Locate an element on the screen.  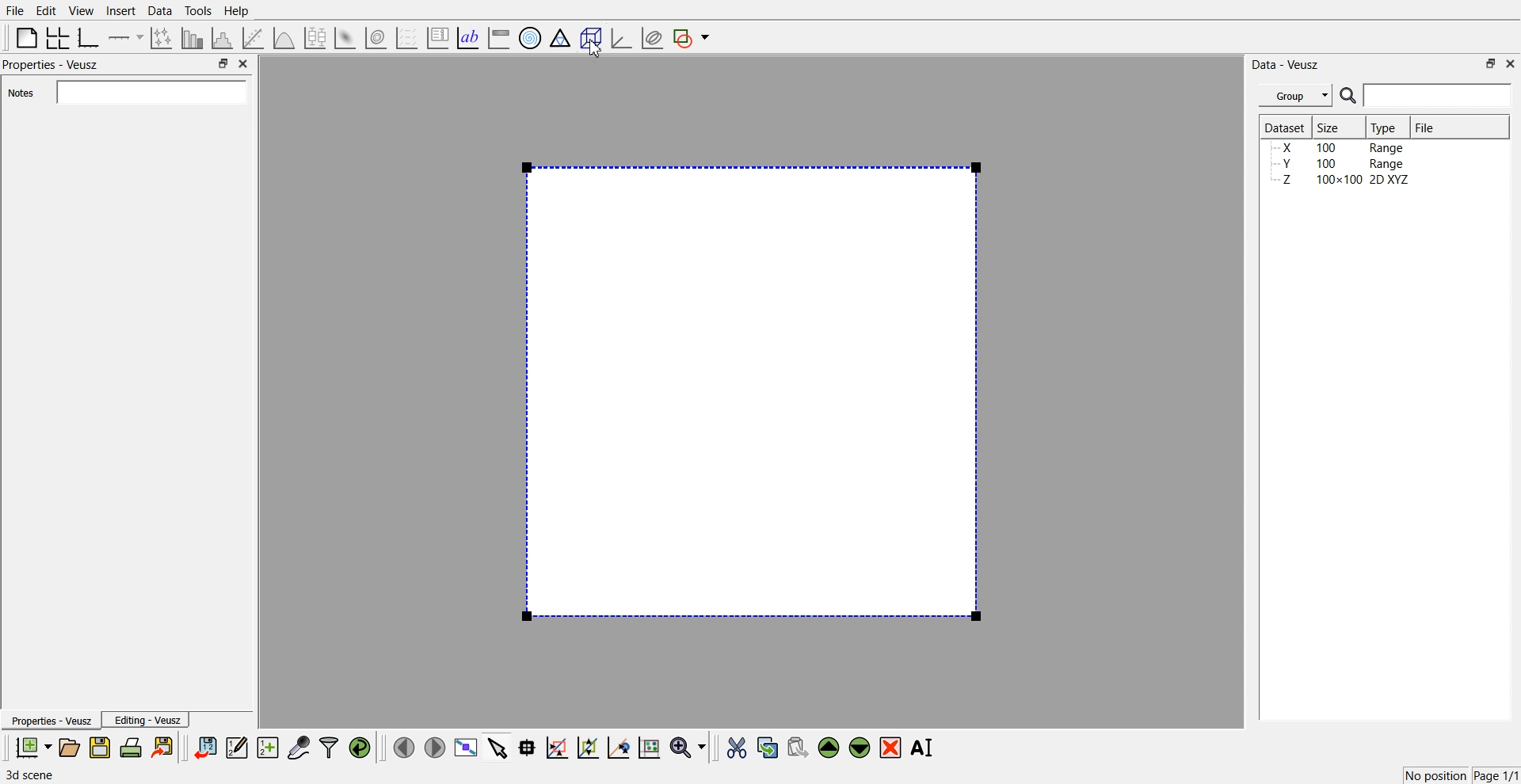
Properties - Veusz is located at coordinates (51, 64).